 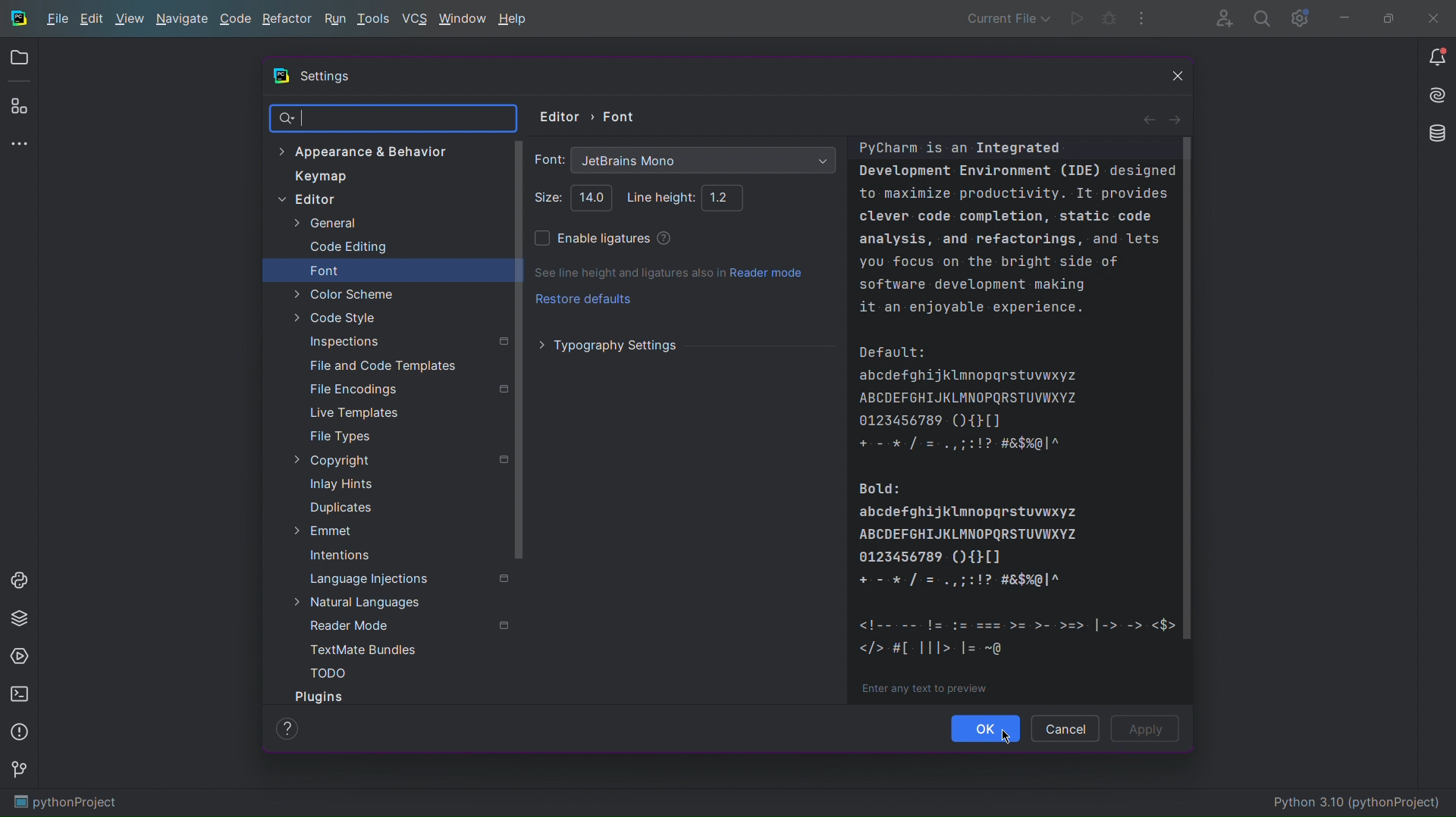 I want to click on Duplicates, so click(x=338, y=508).